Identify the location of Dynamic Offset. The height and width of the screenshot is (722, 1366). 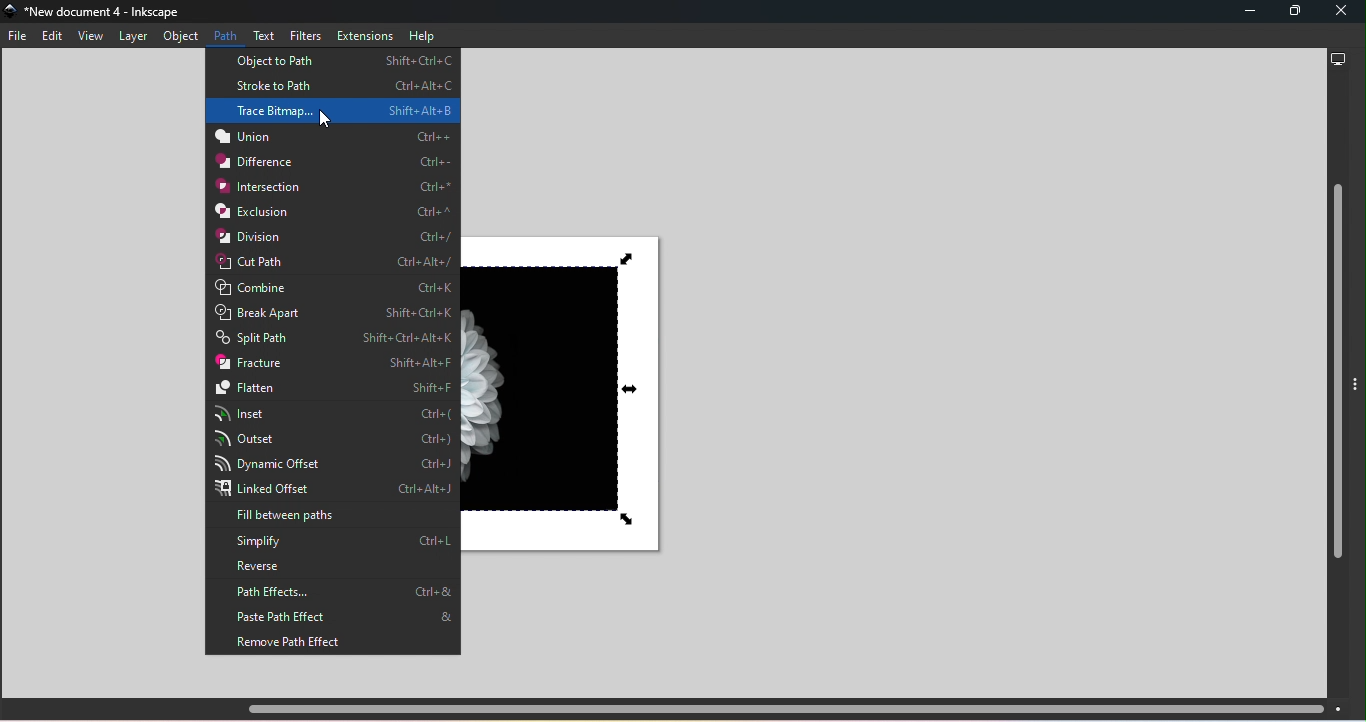
(331, 460).